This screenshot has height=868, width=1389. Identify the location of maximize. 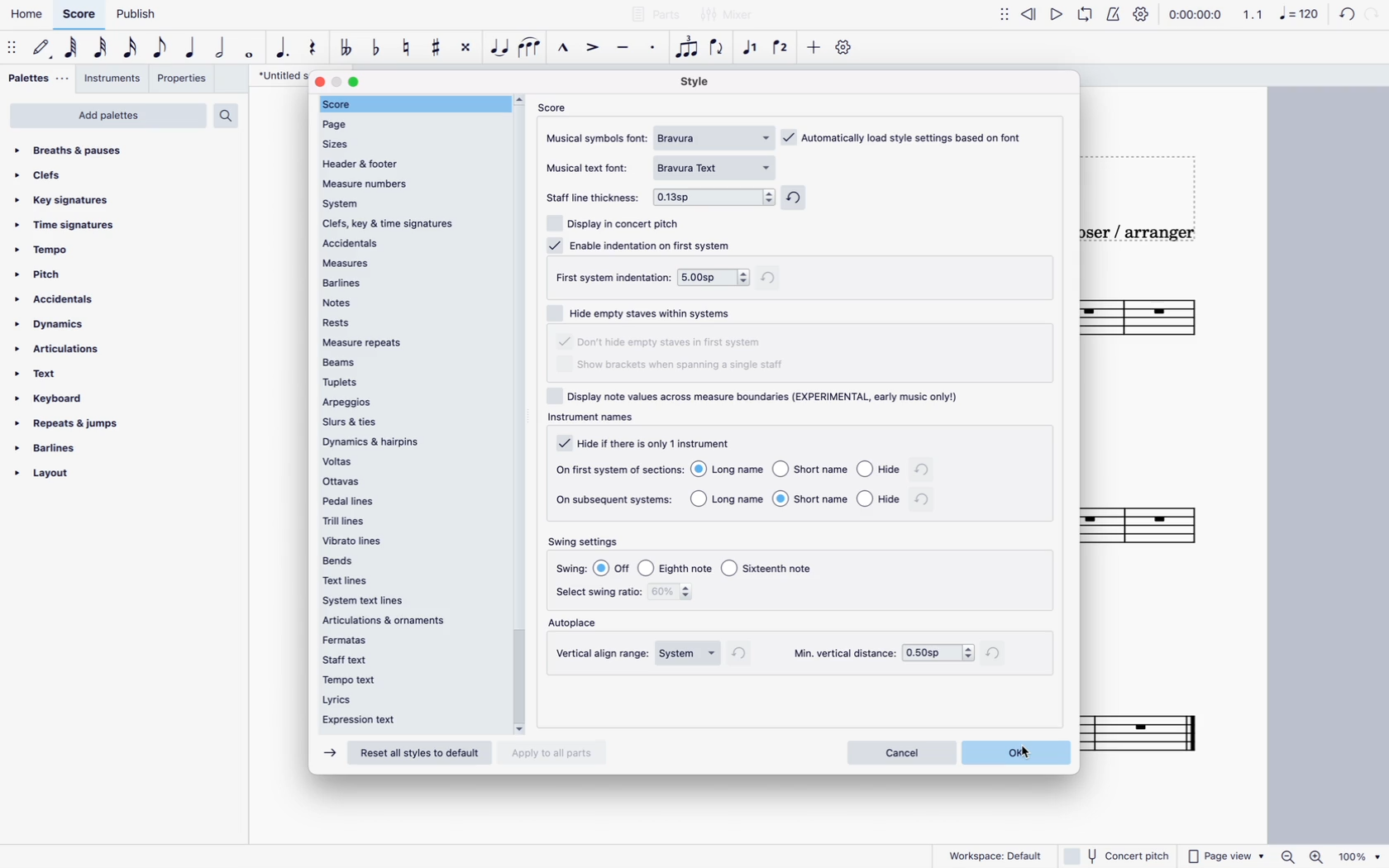
(354, 82).